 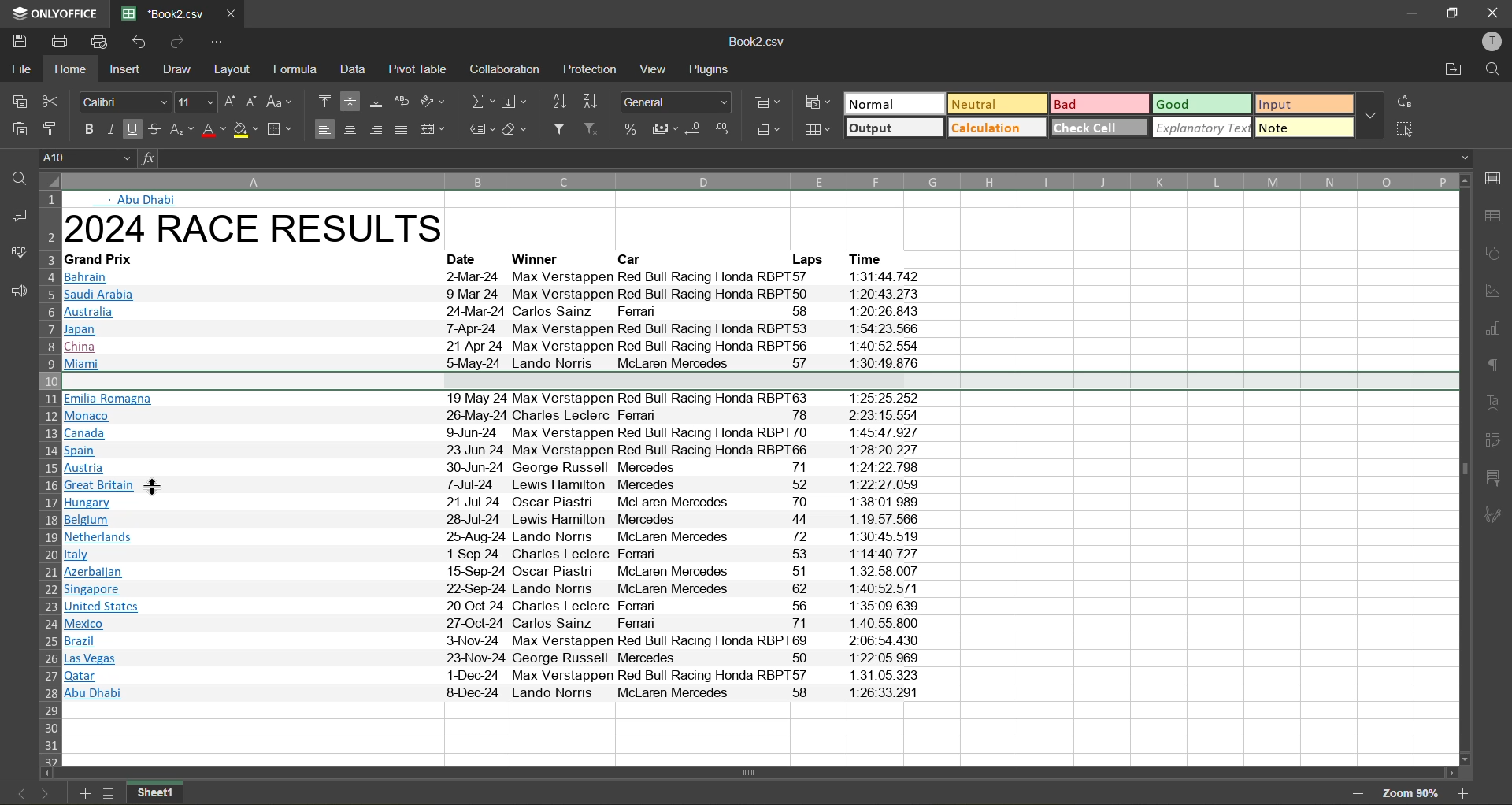 I want to click on columns, so click(x=760, y=179).